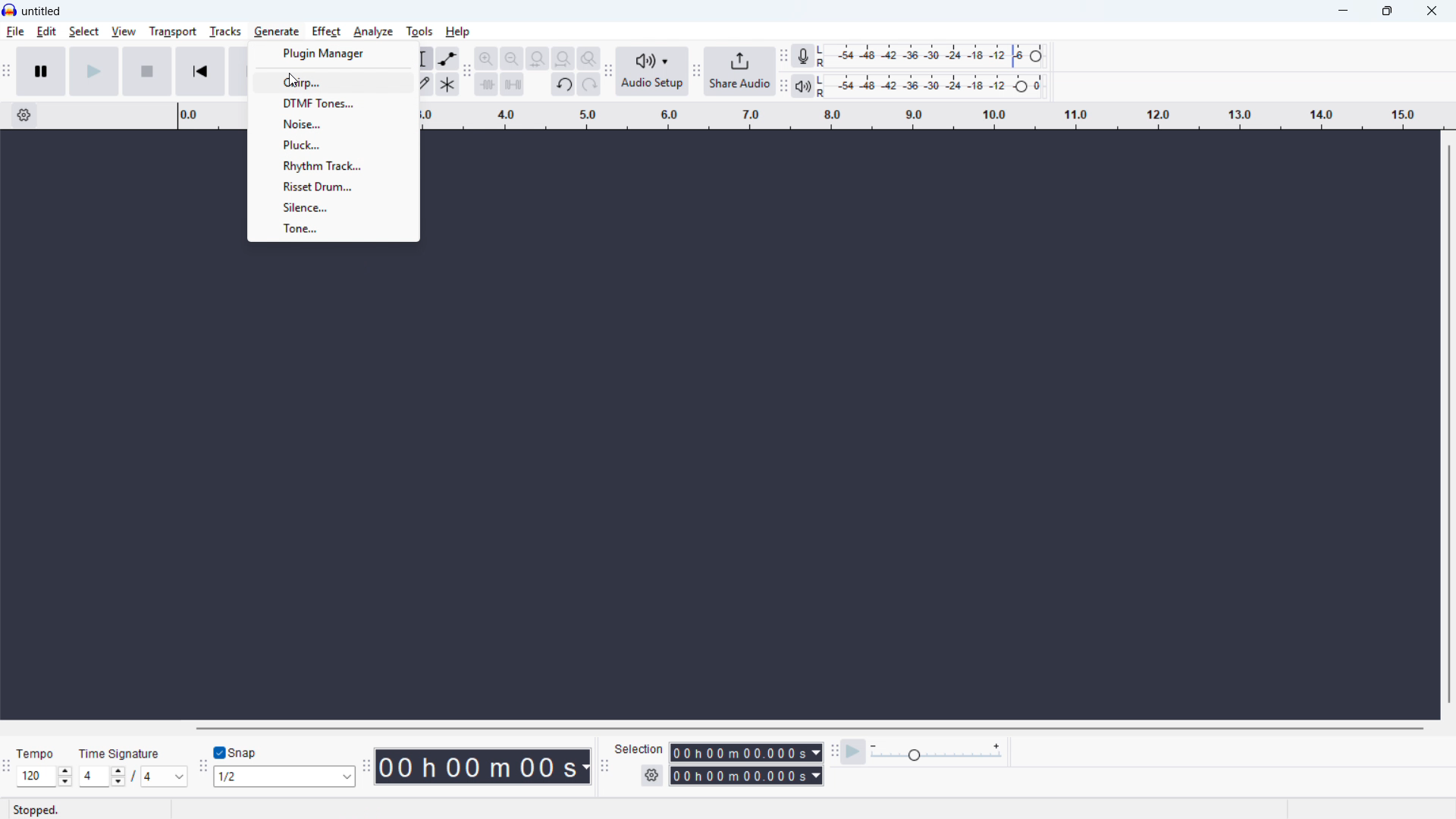 Image resolution: width=1456 pixels, height=819 pixels. Describe the element at coordinates (332, 186) in the screenshot. I see `risset drum` at that location.